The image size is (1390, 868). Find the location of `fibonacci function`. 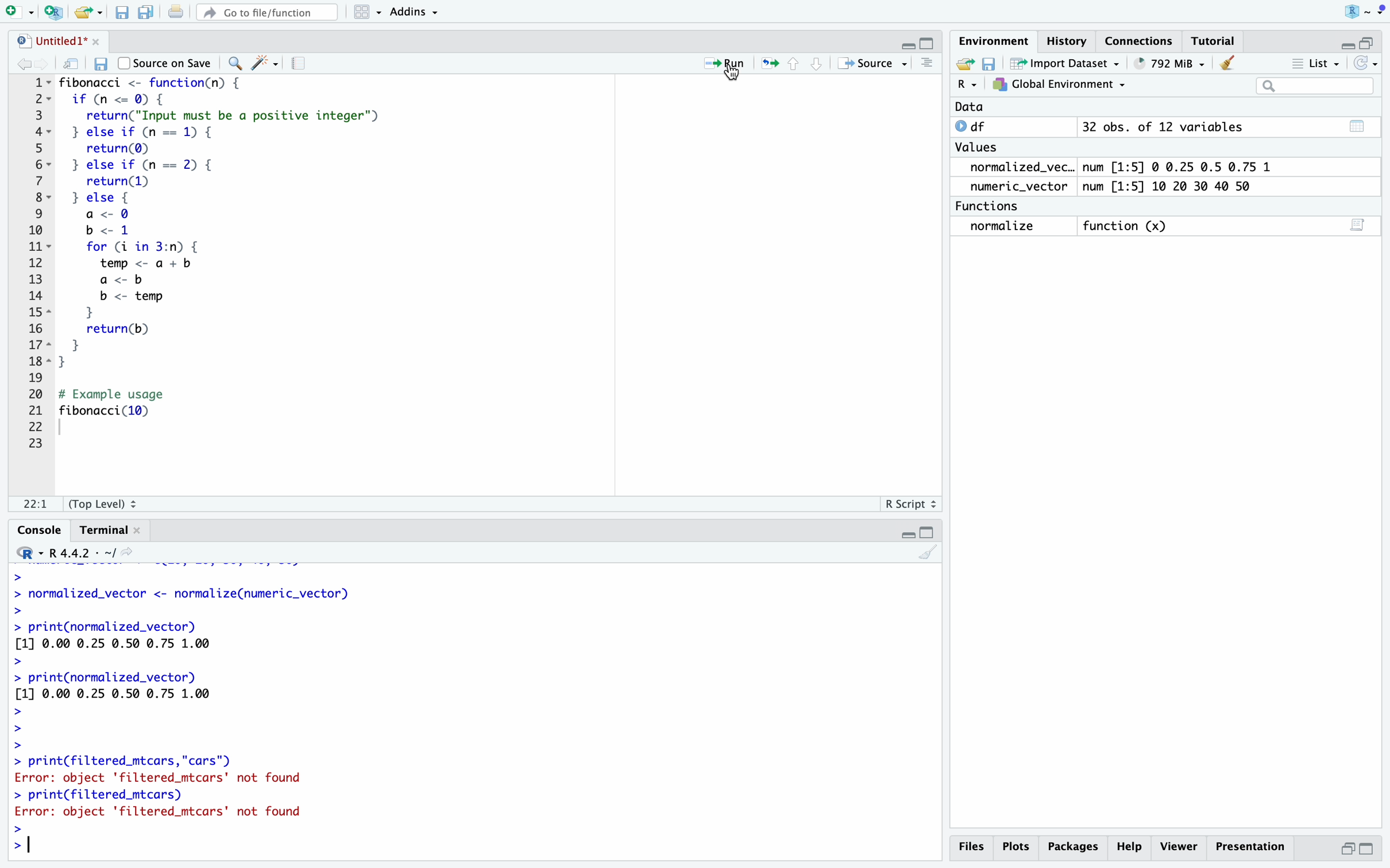

fibonacci function is located at coordinates (157, 84).